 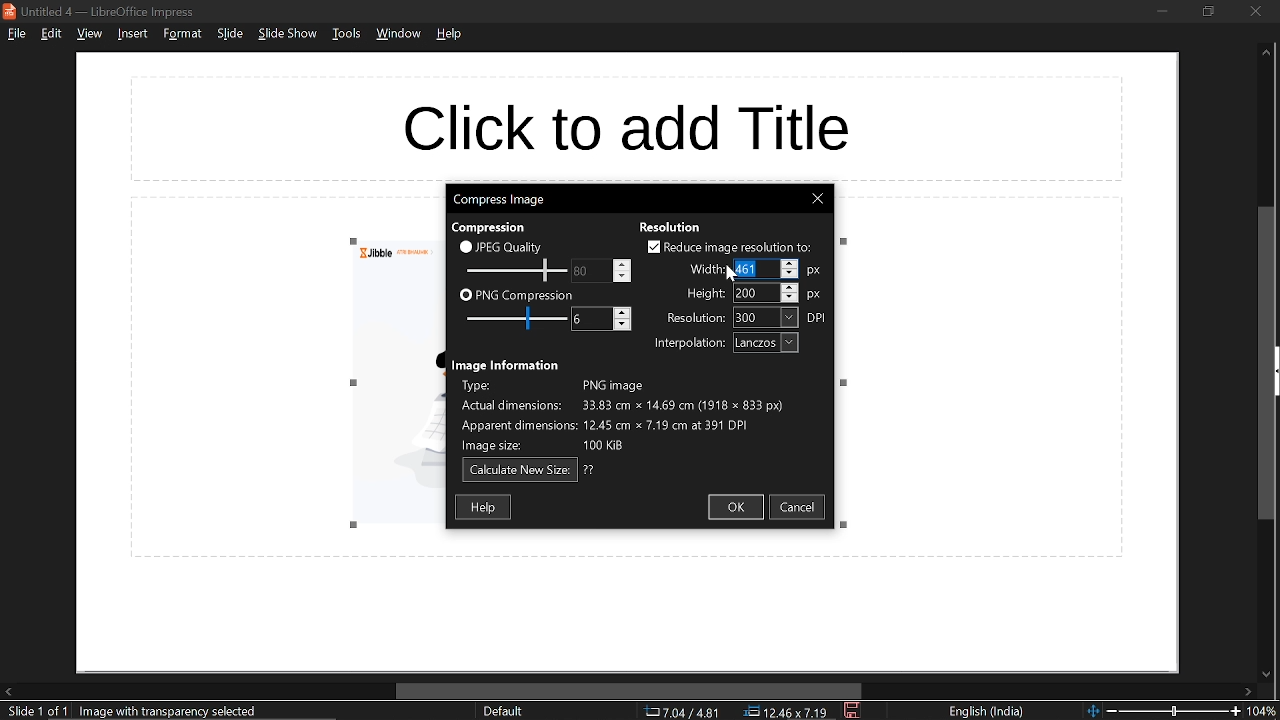 What do you see at coordinates (1265, 711) in the screenshot?
I see `current zoom` at bounding box center [1265, 711].